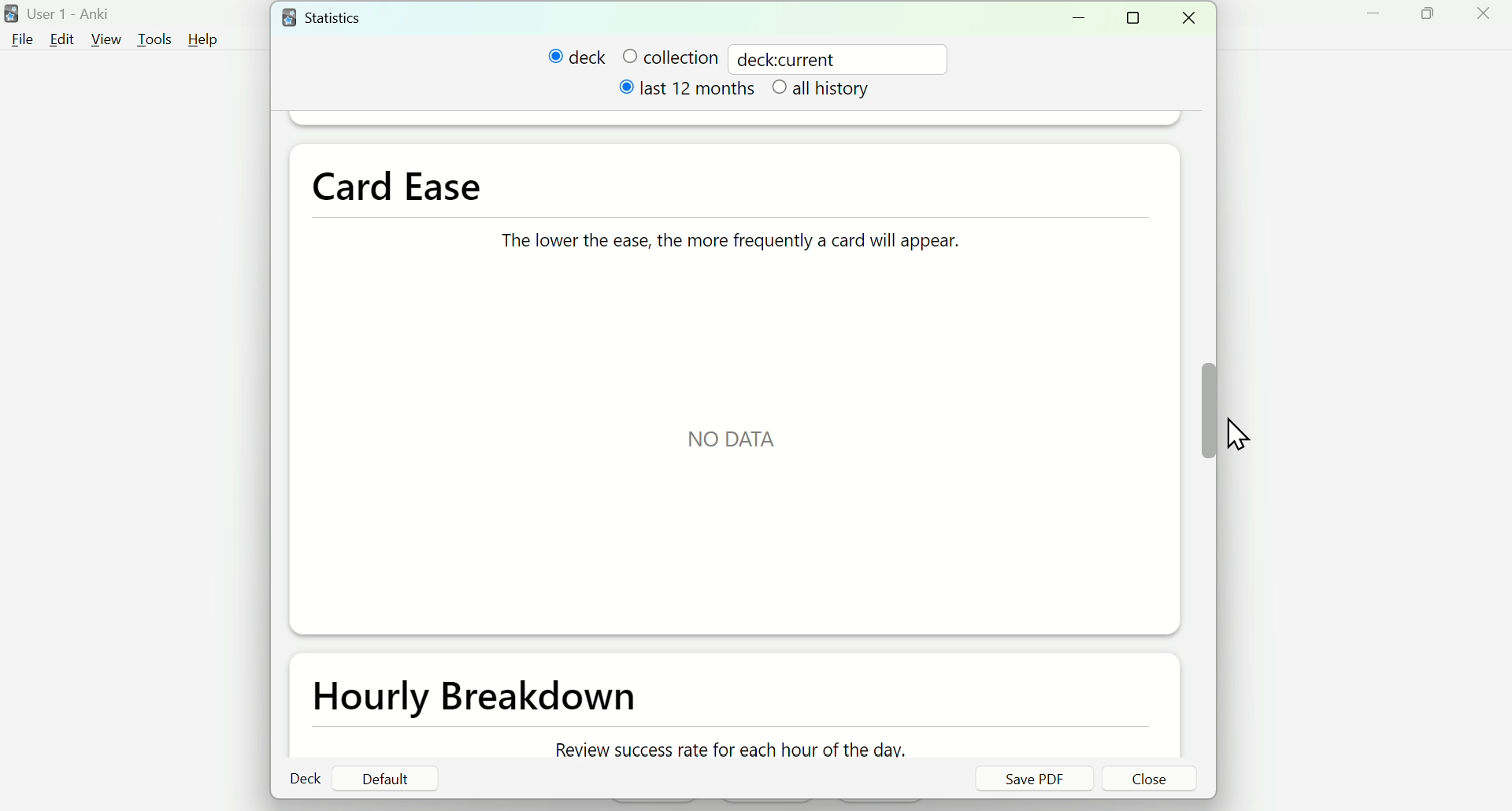 The height and width of the screenshot is (811, 1512). Describe the element at coordinates (307, 779) in the screenshot. I see `Deck` at that location.